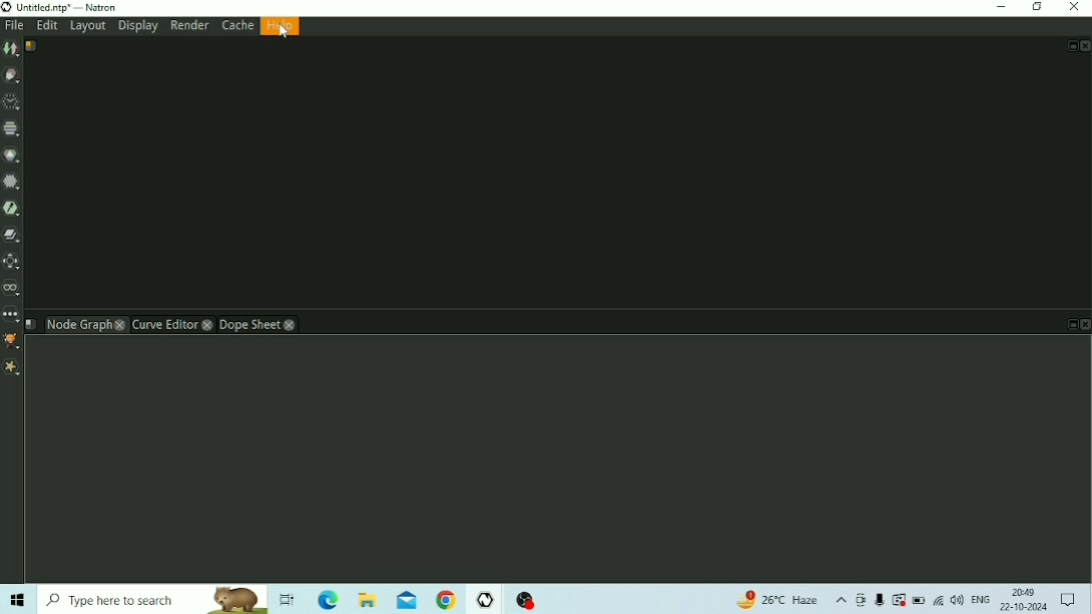  I want to click on Filter, so click(11, 182).